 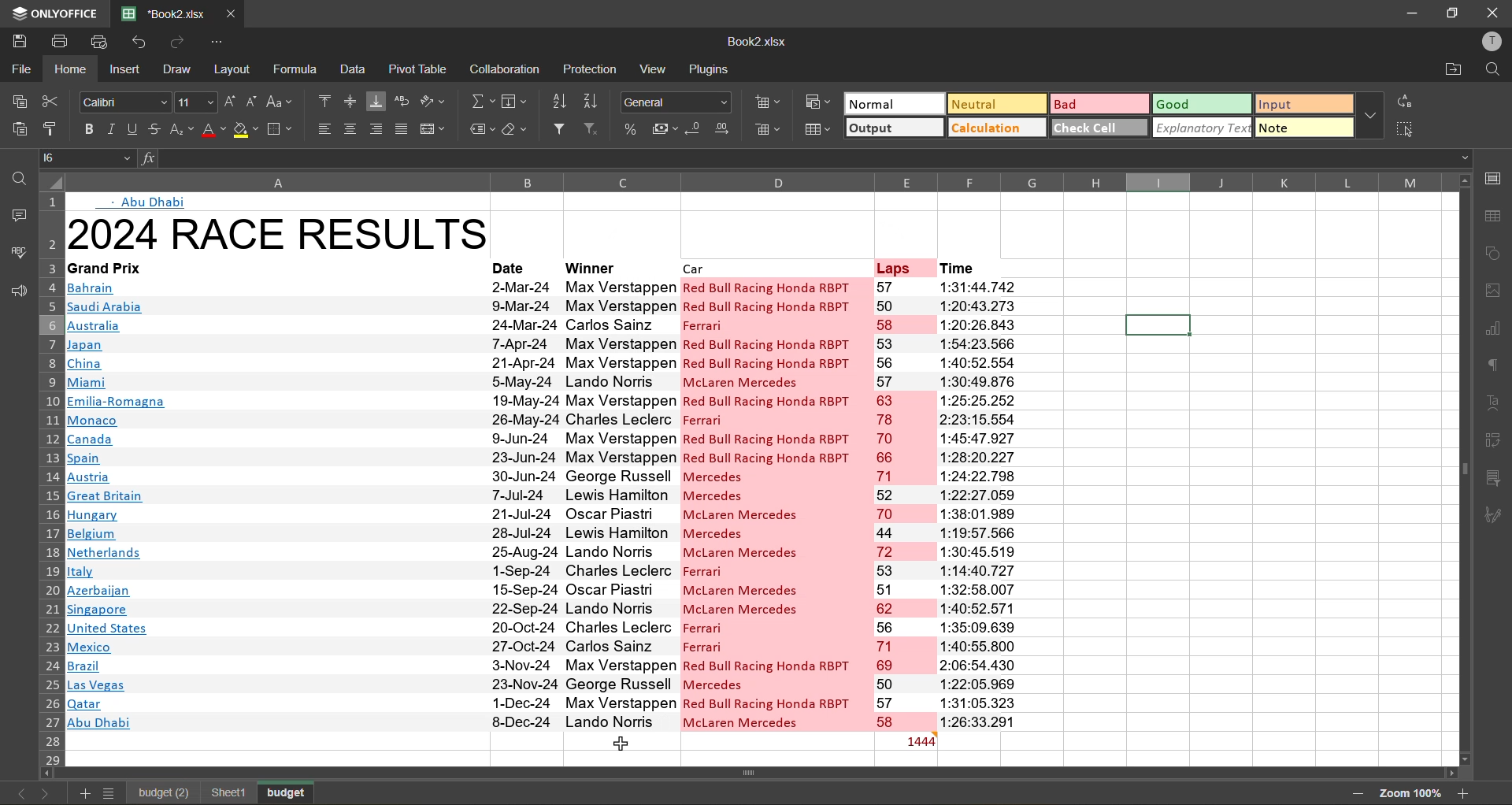 What do you see at coordinates (1099, 127) in the screenshot?
I see `check cell` at bounding box center [1099, 127].